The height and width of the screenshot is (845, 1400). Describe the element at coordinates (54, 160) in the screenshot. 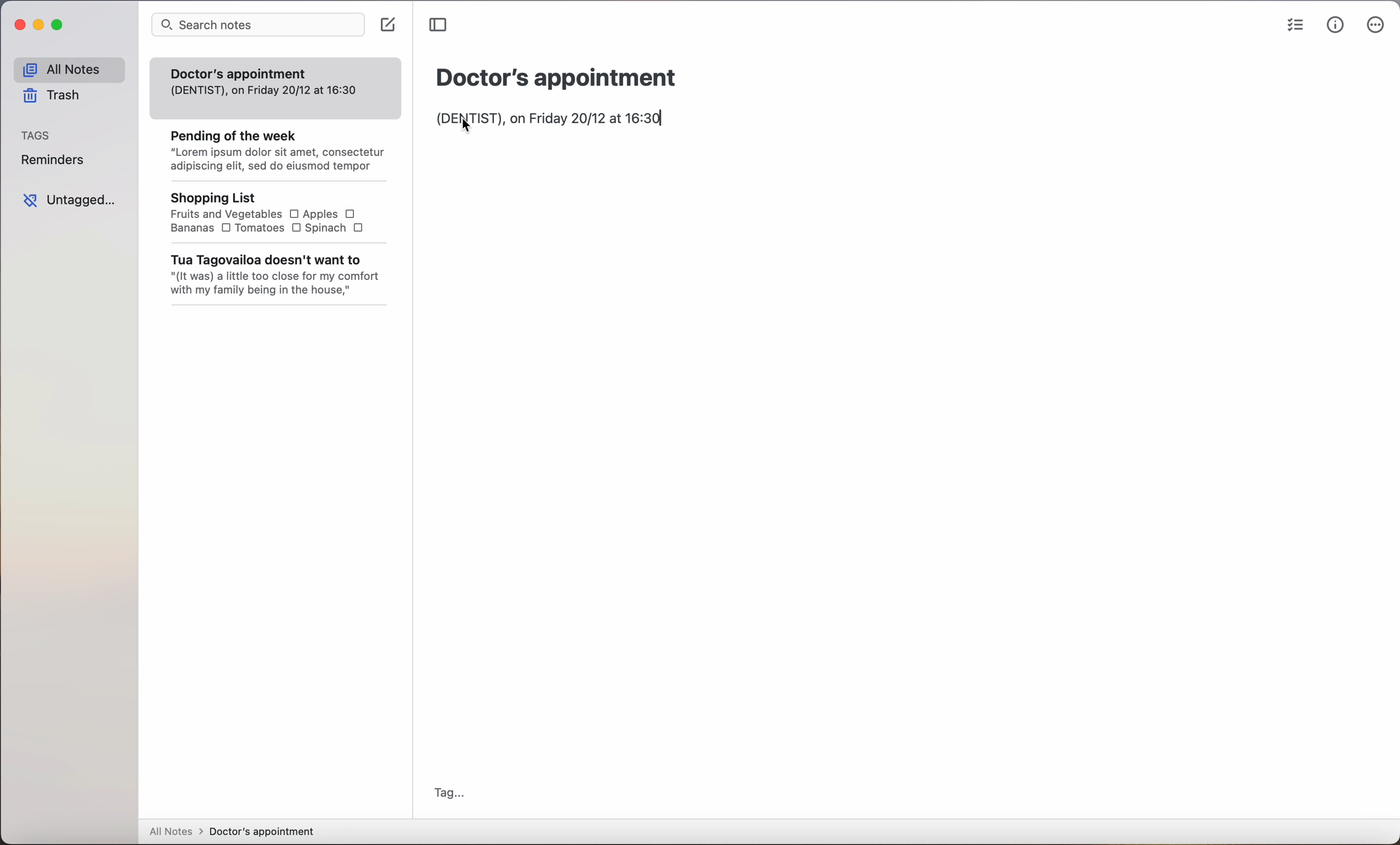

I see `reminders` at that location.